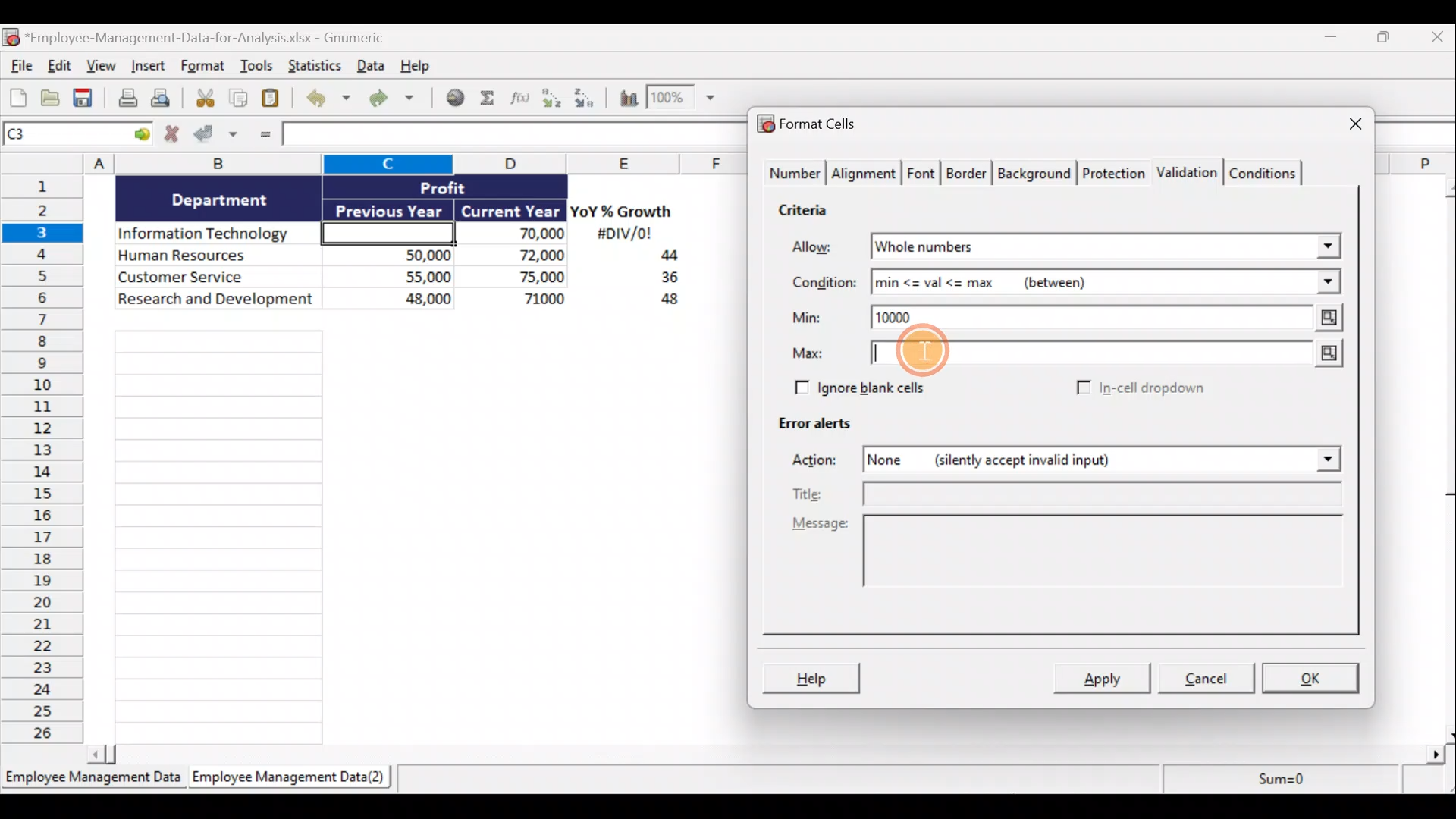 This screenshot has width=1456, height=819. I want to click on Rows, so click(47, 462).